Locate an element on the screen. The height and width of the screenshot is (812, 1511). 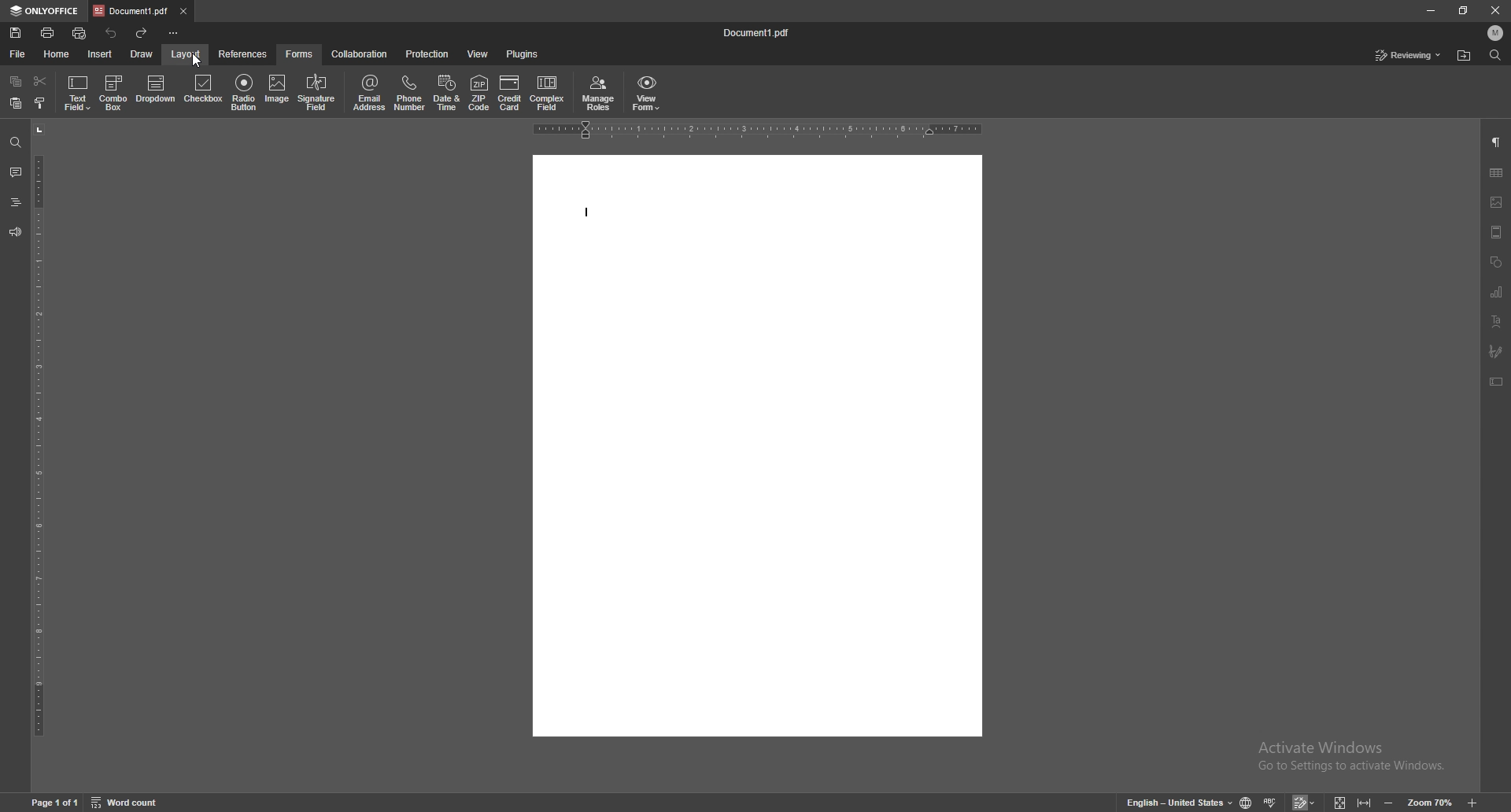
minimize is located at coordinates (1430, 10).